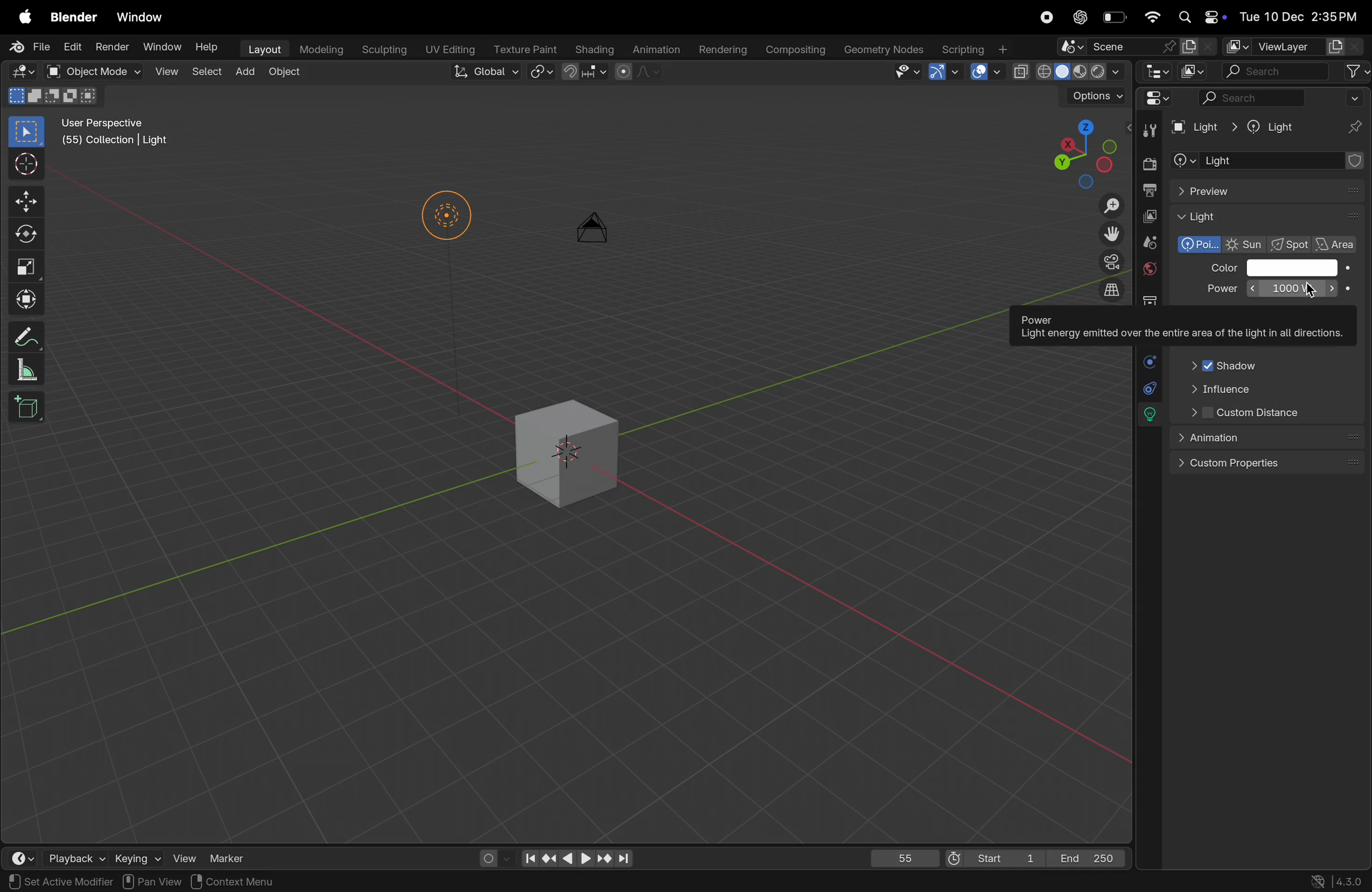 The height and width of the screenshot is (892, 1372). Describe the element at coordinates (262, 48) in the screenshot. I see `layout` at that location.